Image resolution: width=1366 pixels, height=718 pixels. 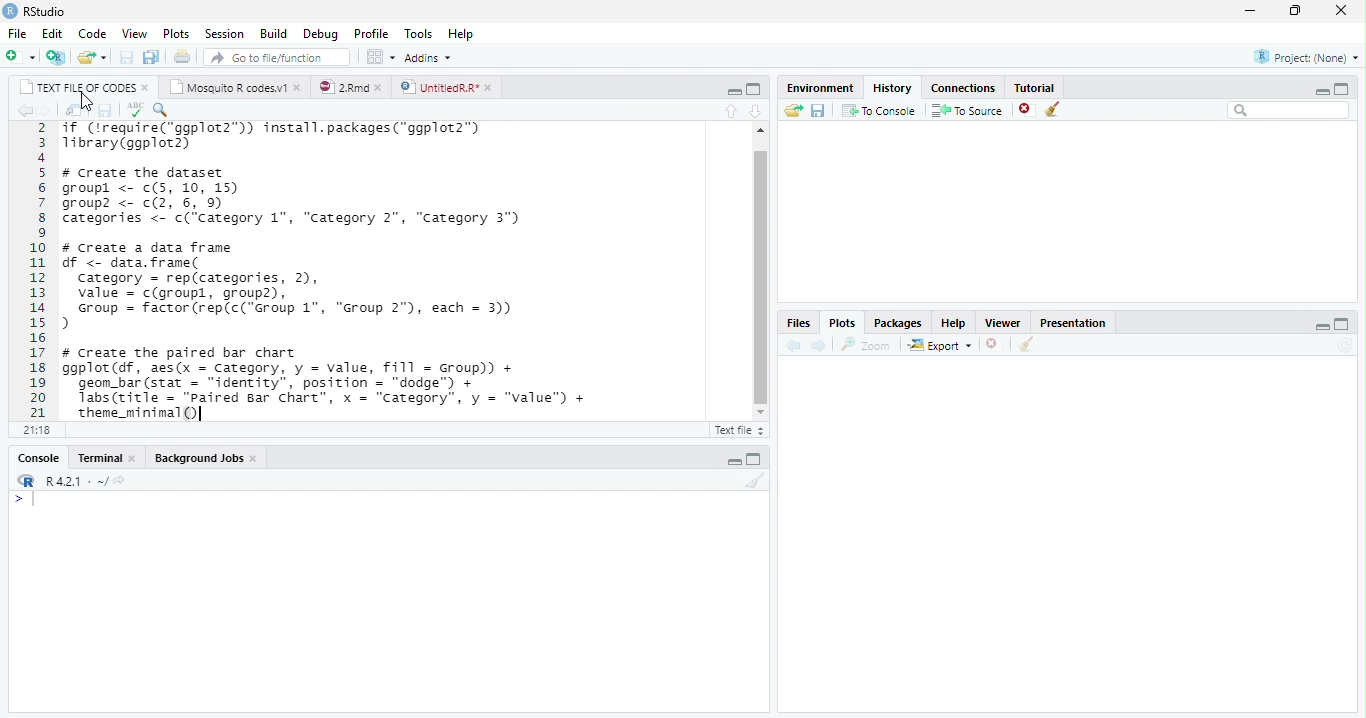 I want to click on  to source : insert the selected command into the current document , so click(x=964, y=110).